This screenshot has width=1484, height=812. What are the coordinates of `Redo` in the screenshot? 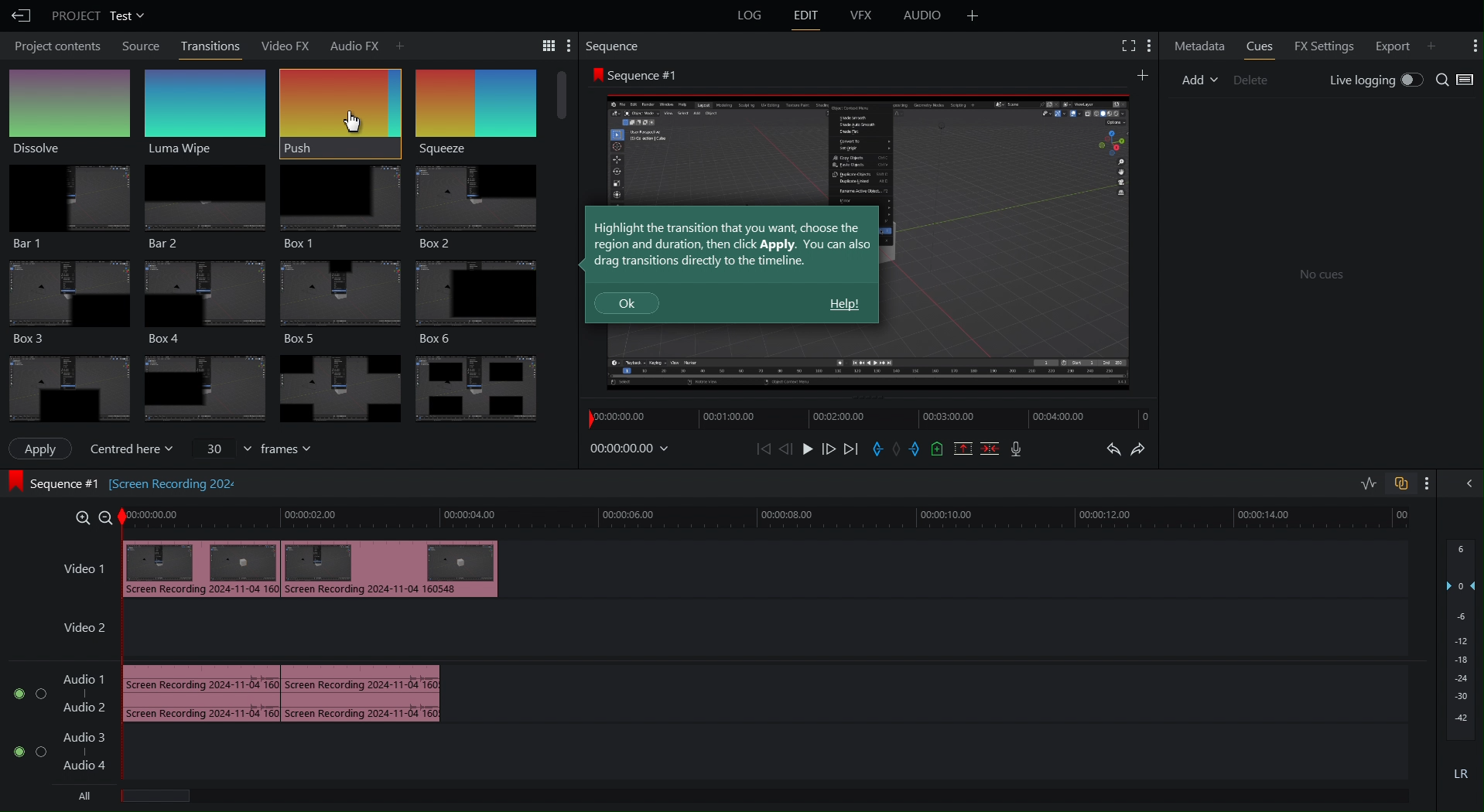 It's located at (1150, 449).